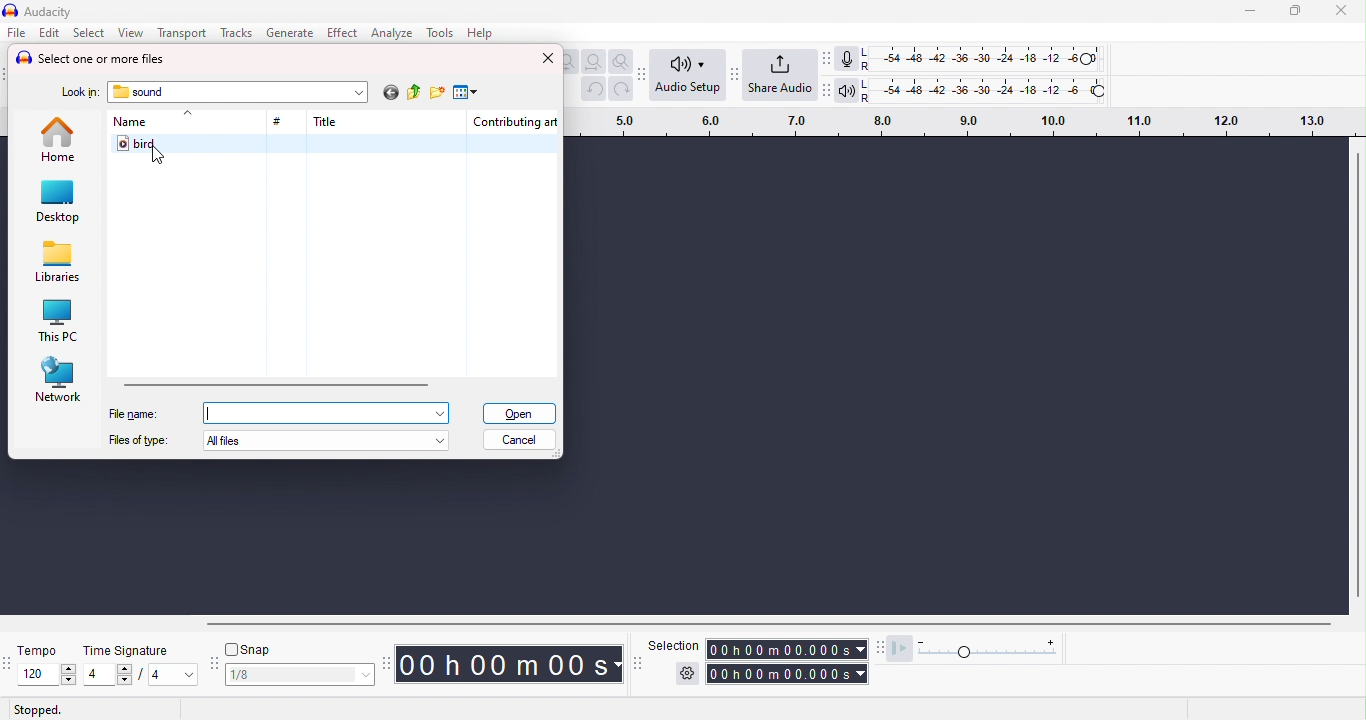 This screenshot has height=720, width=1366. I want to click on tools, so click(441, 33).